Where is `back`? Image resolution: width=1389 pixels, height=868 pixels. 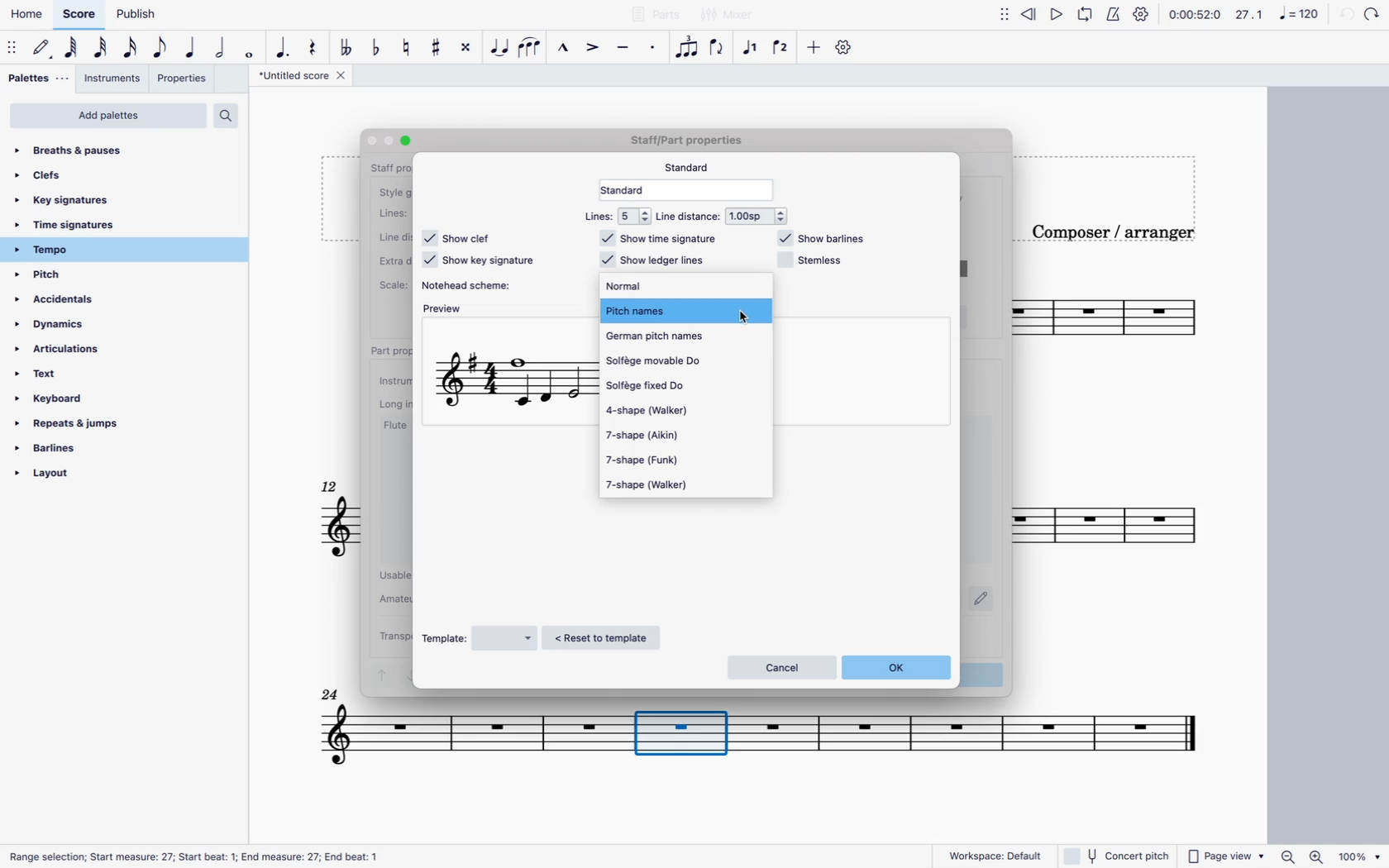
back is located at coordinates (1345, 15).